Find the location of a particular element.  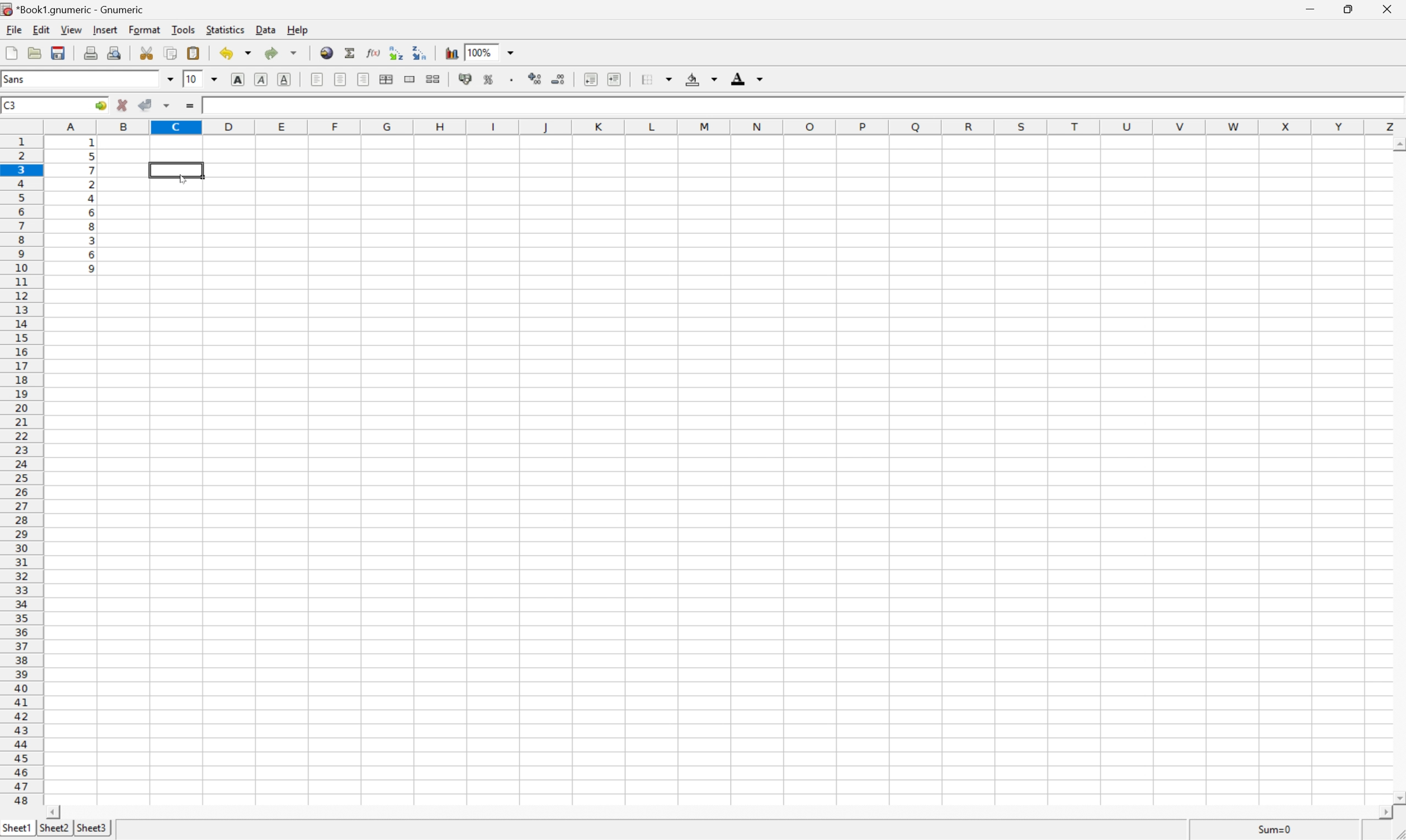

format selection as percentage is located at coordinates (490, 79).